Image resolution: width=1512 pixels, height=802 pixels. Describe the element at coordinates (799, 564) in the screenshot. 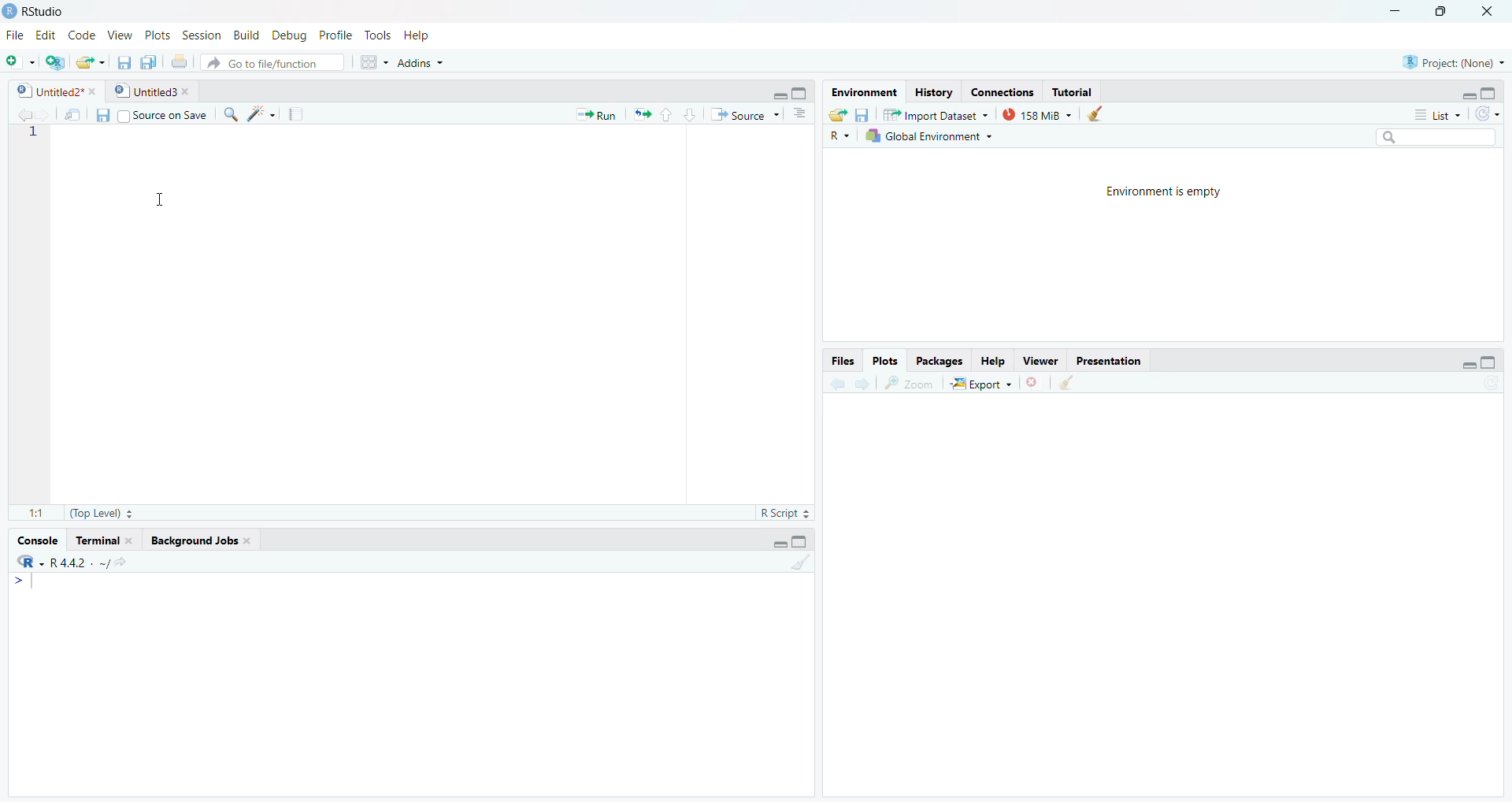

I see `clear console` at that location.